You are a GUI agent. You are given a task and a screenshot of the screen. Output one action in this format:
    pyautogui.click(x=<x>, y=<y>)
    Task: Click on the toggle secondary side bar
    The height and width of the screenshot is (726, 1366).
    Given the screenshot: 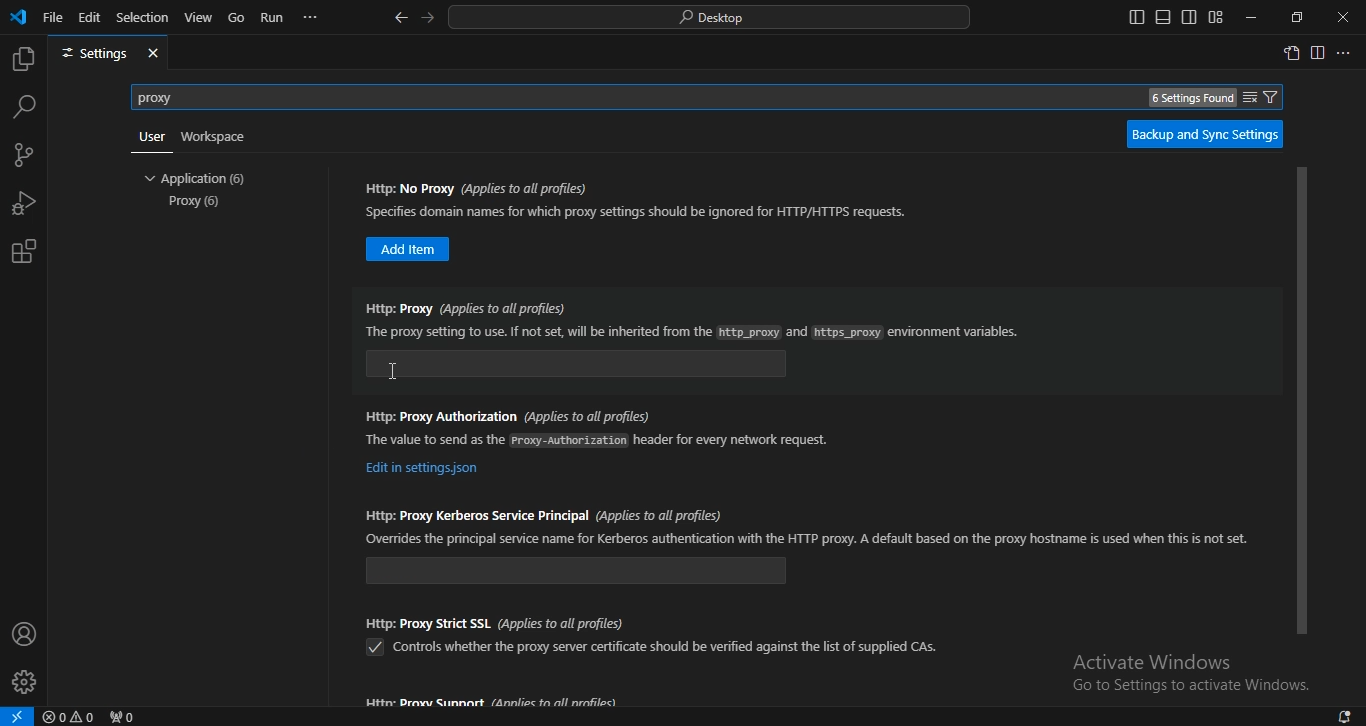 What is the action you would take?
    pyautogui.click(x=1189, y=17)
    